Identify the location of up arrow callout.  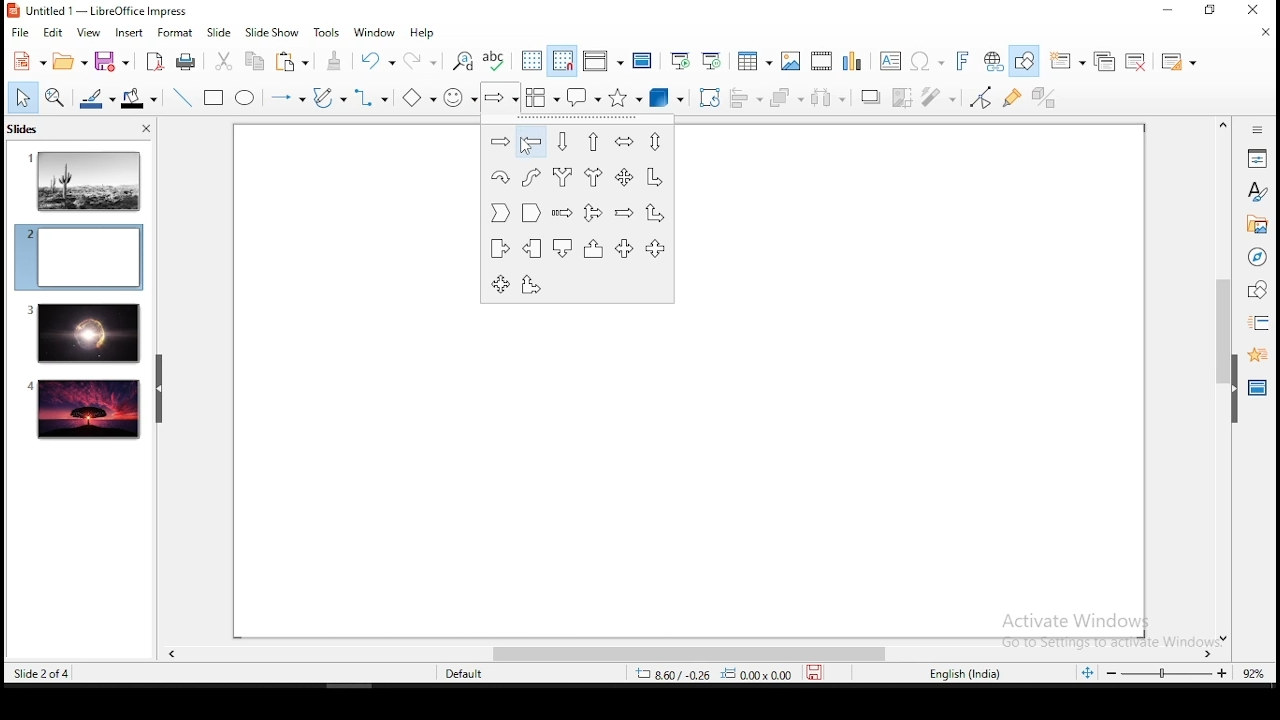
(595, 248).